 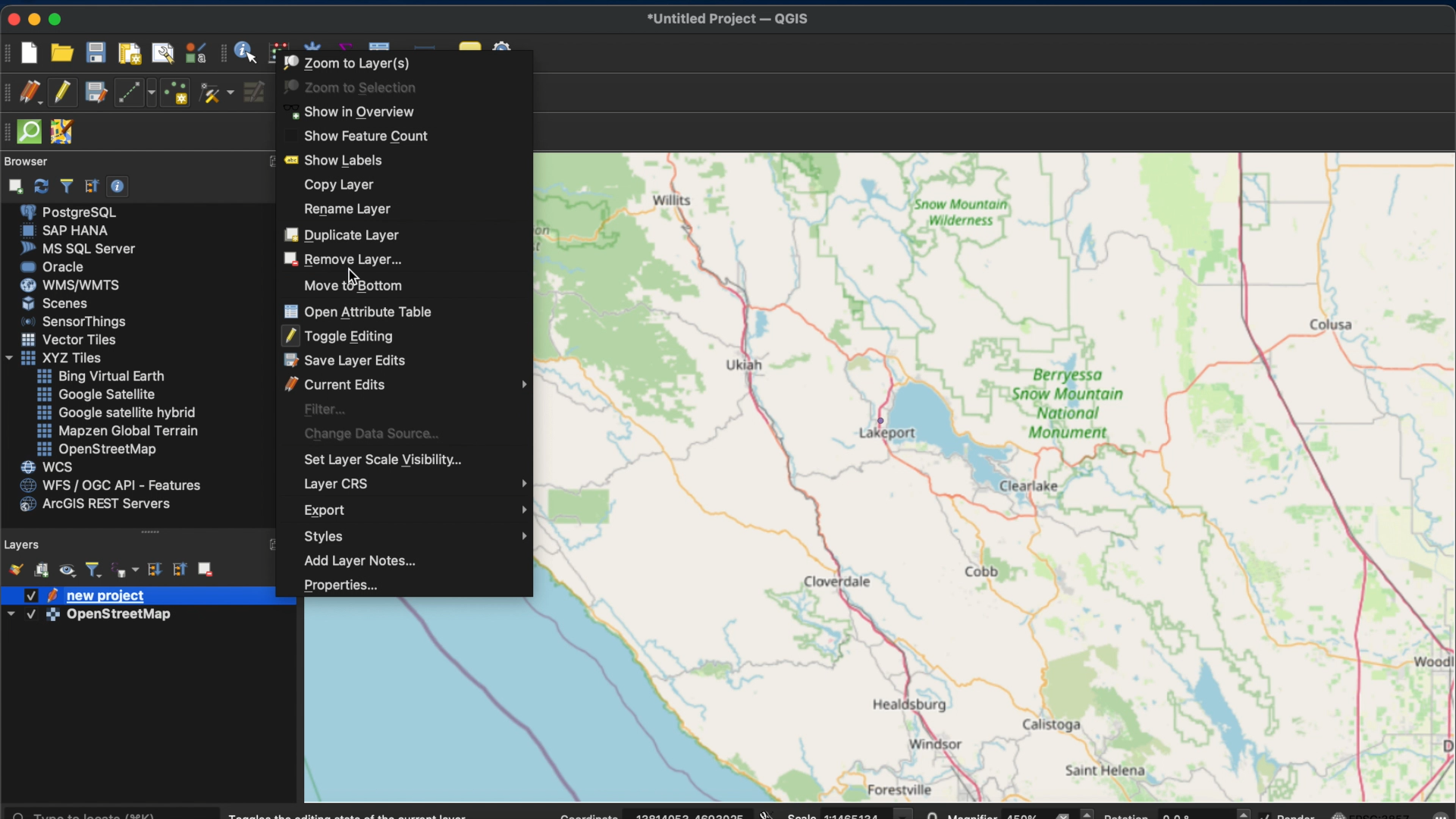 What do you see at coordinates (95, 450) in the screenshot?
I see `openstreetmap` at bounding box center [95, 450].